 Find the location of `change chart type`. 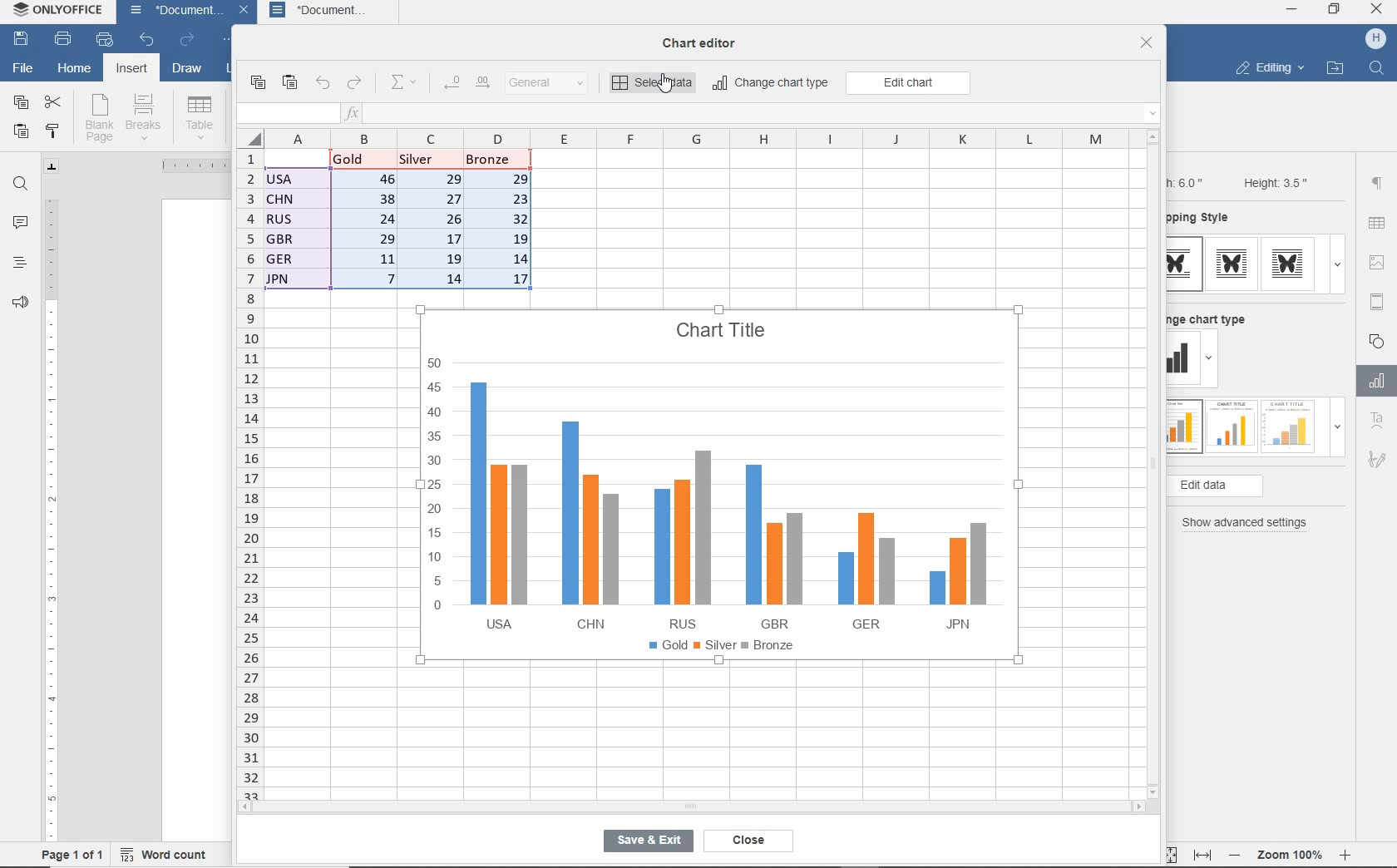

change chart type is located at coordinates (772, 84).